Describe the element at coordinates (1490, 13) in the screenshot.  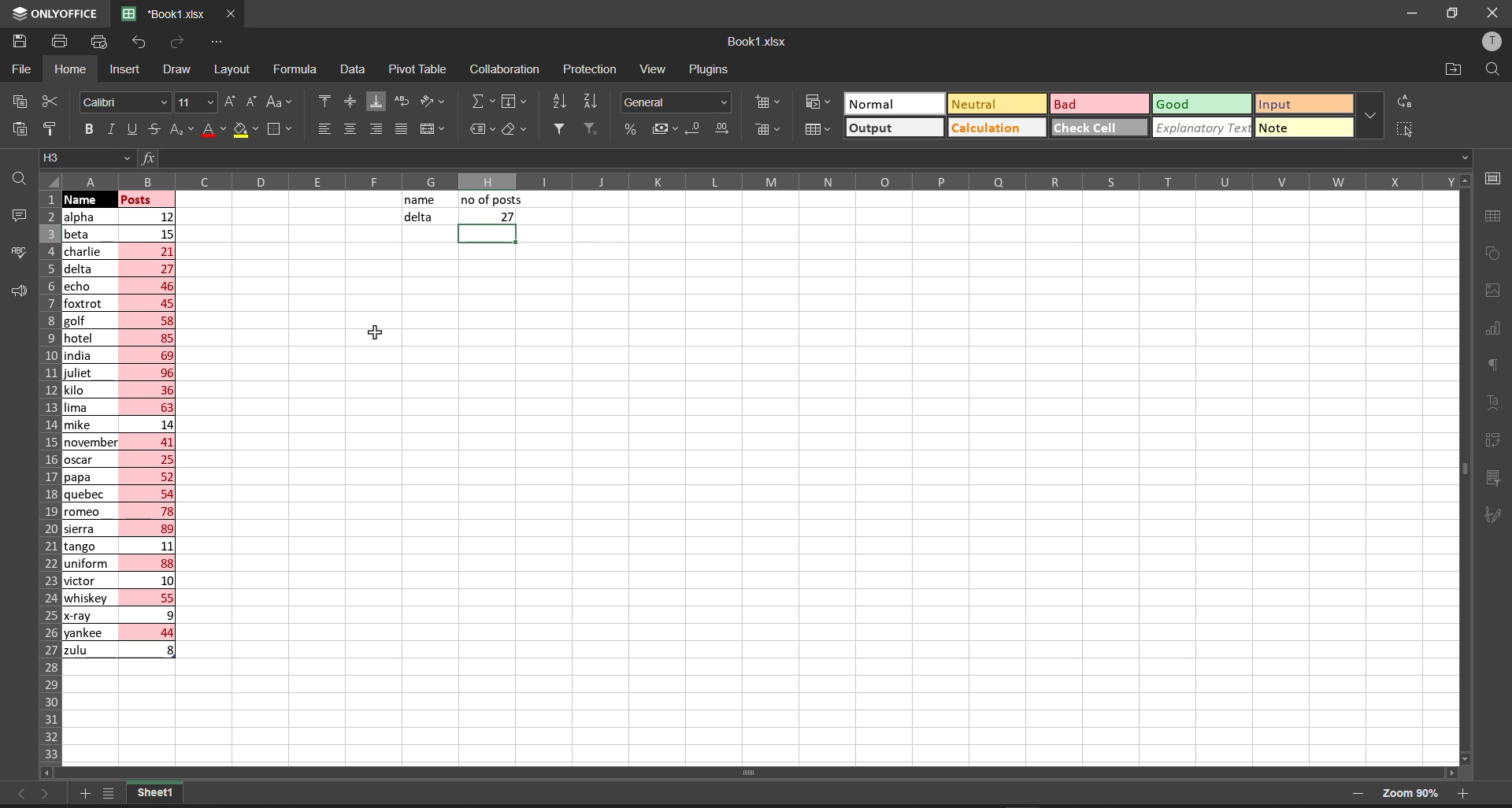
I see `close` at that location.